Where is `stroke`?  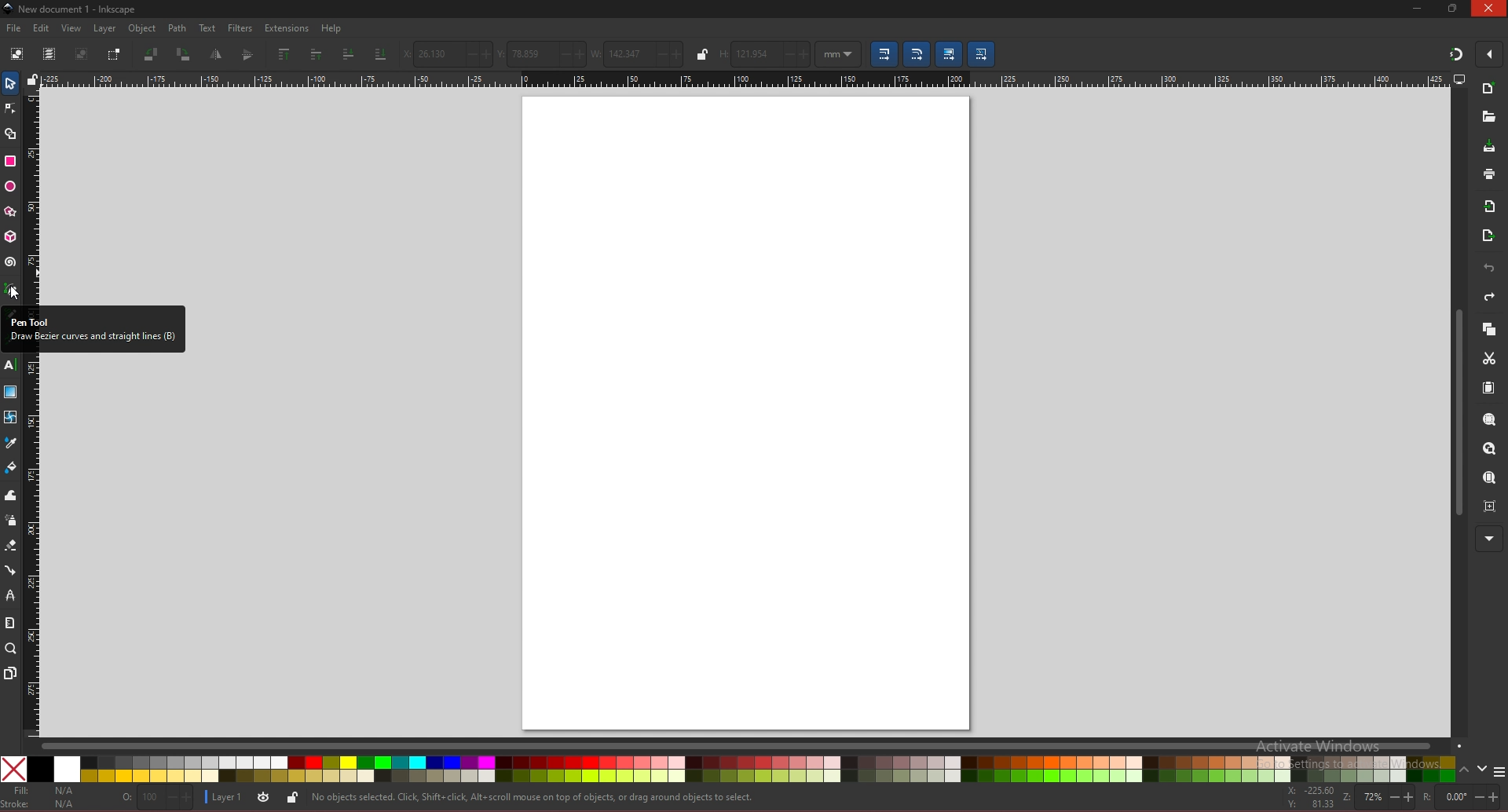
stroke is located at coordinates (42, 804).